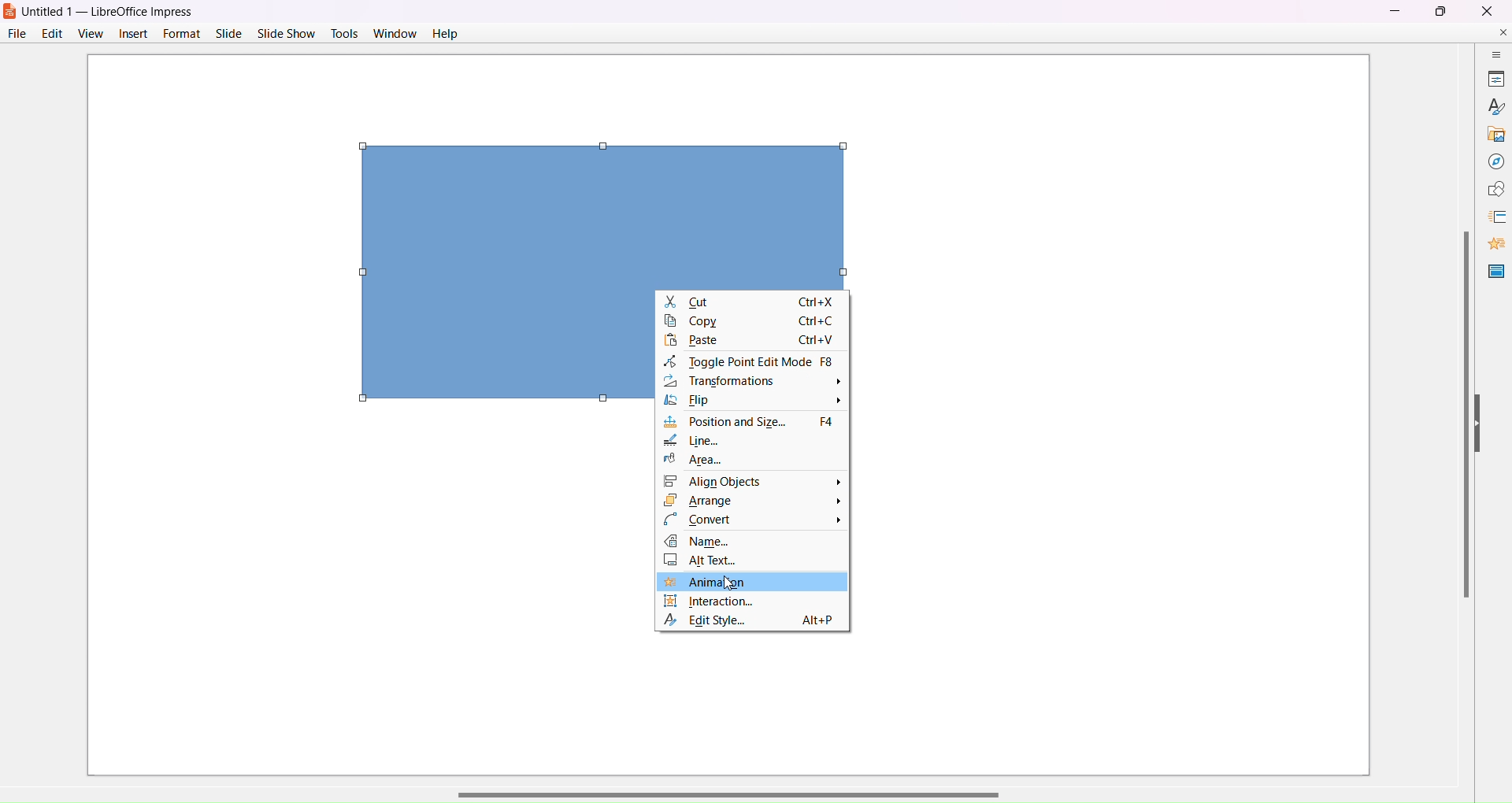 The height and width of the screenshot is (803, 1512). Describe the element at coordinates (1502, 31) in the screenshot. I see `Close Document` at that location.